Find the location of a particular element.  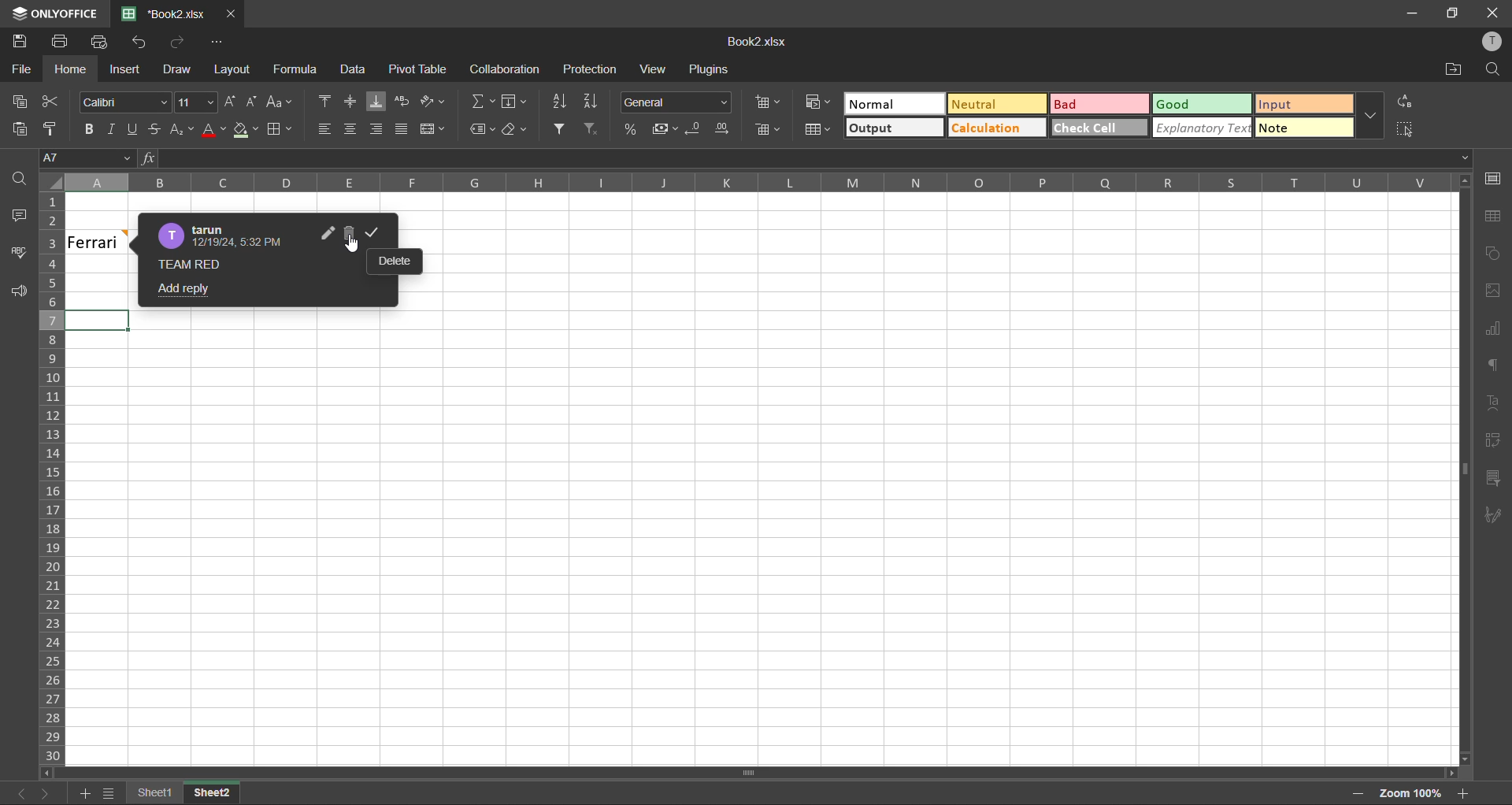

data is located at coordinates (354, 71).